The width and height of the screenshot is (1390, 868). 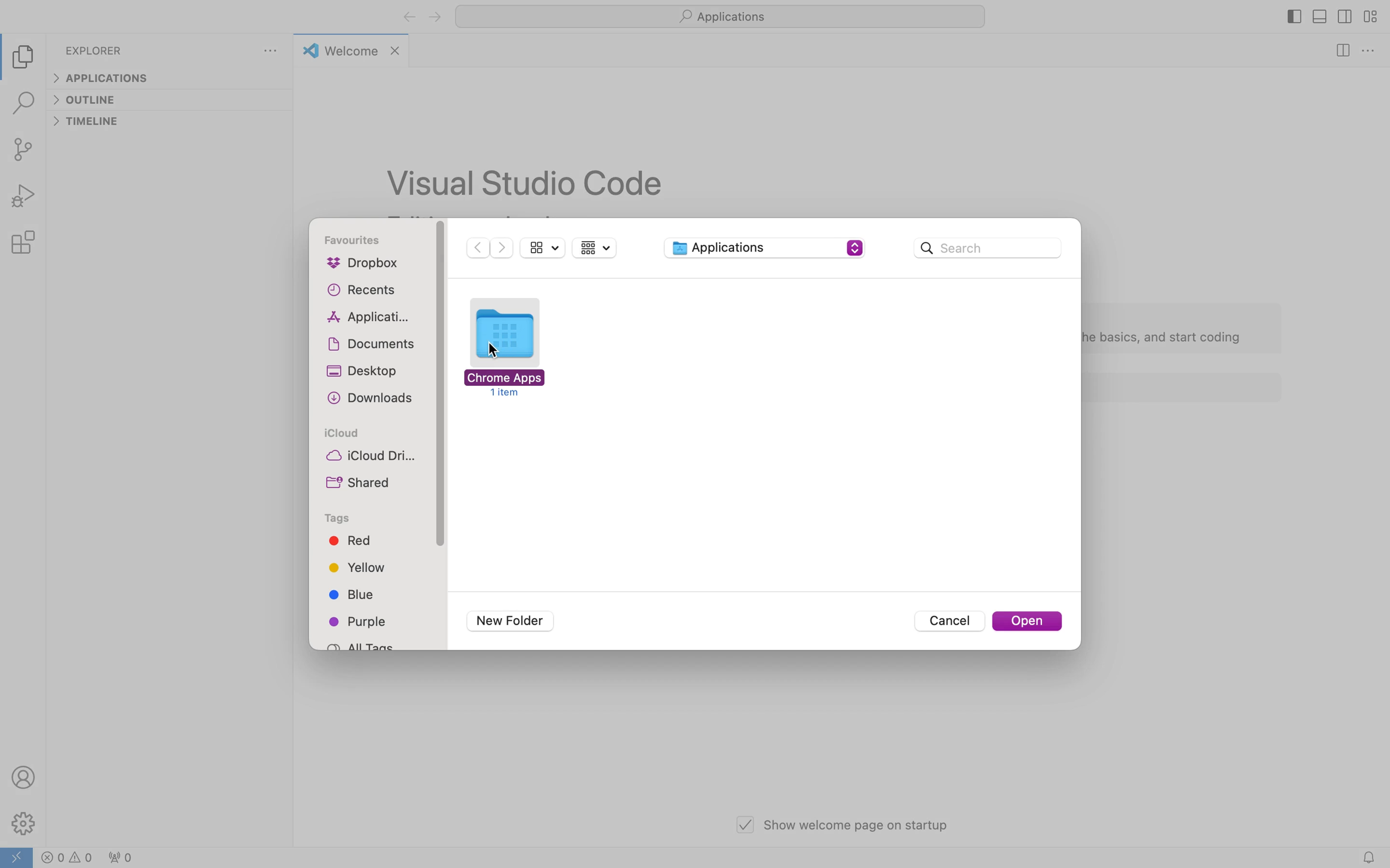 What do you see at coordinates (496, 350) in the screenshot?
I see `cursor` at bounding box center [496, 350].